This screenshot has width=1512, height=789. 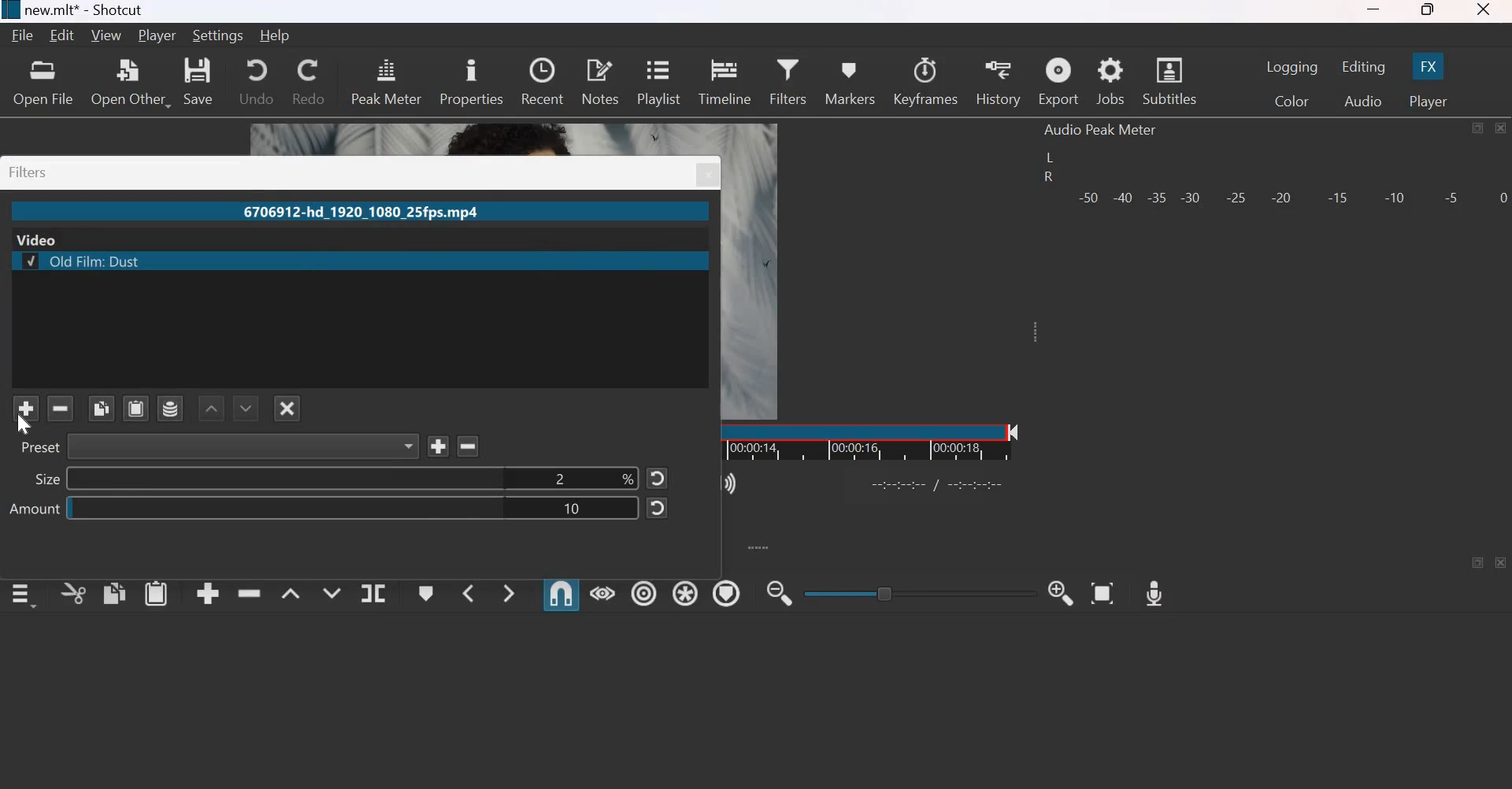 What do you see at coordinates (249, 592) in the screenshot?
I see `ripple delete` at bounding box center [249, 592].